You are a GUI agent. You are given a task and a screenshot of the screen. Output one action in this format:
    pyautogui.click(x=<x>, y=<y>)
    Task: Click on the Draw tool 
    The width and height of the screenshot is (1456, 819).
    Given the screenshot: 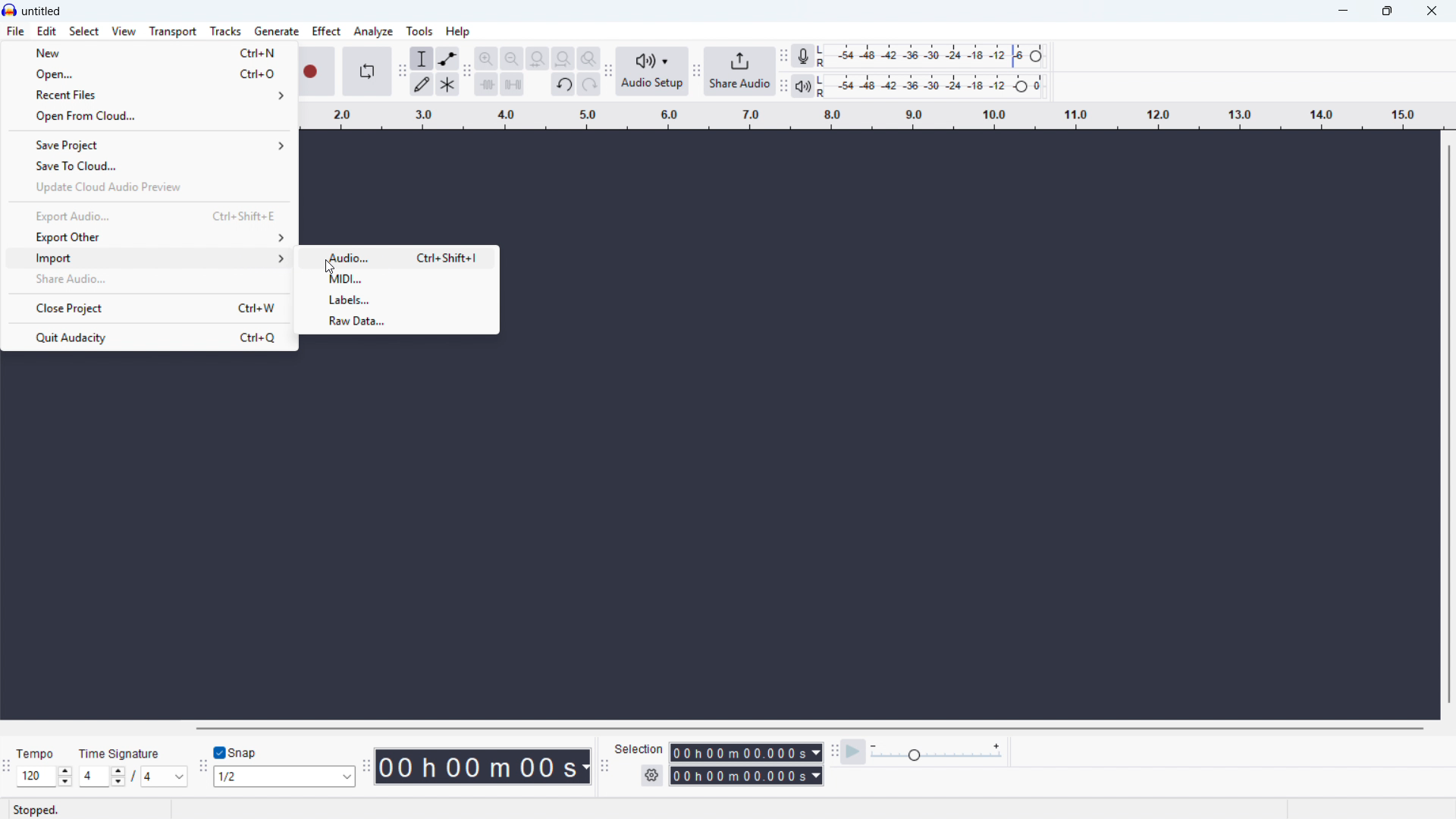 What is the action you would take?
    pyautogui.click(x=422, y=84)
    